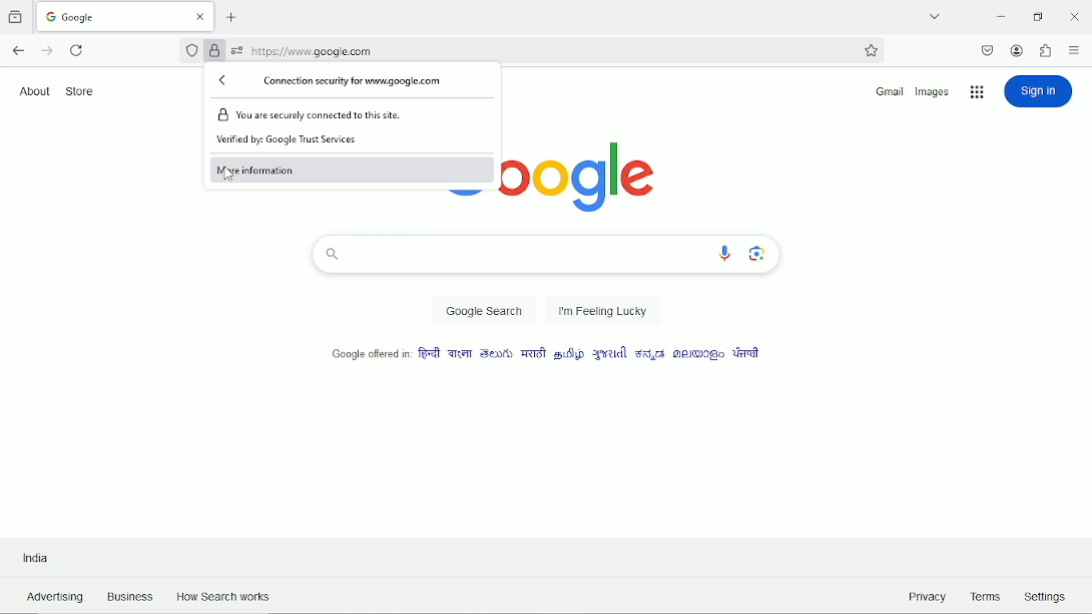  I want to click on Back, so click(223, 82).